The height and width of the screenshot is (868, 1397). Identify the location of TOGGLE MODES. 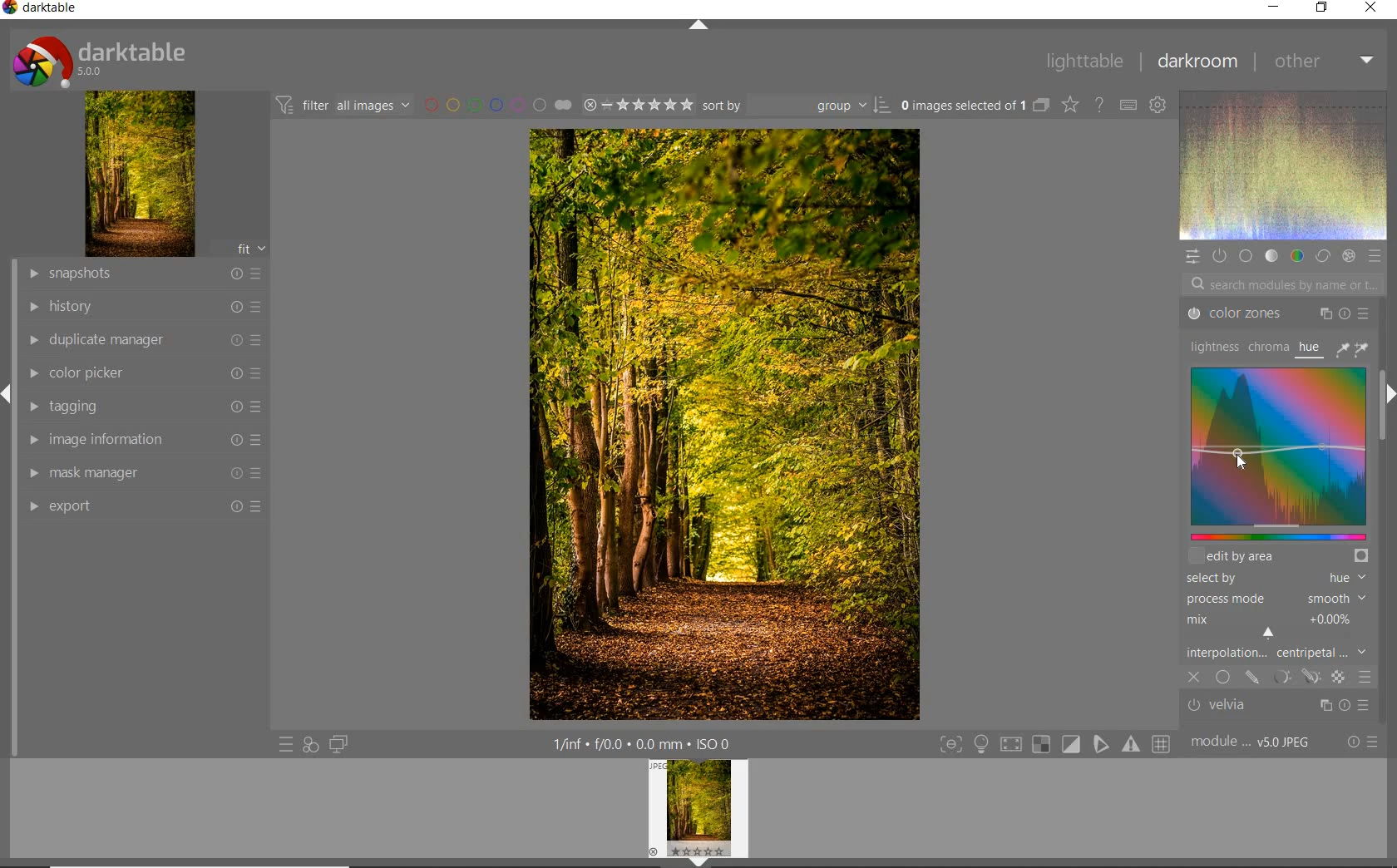
(1054, 745).